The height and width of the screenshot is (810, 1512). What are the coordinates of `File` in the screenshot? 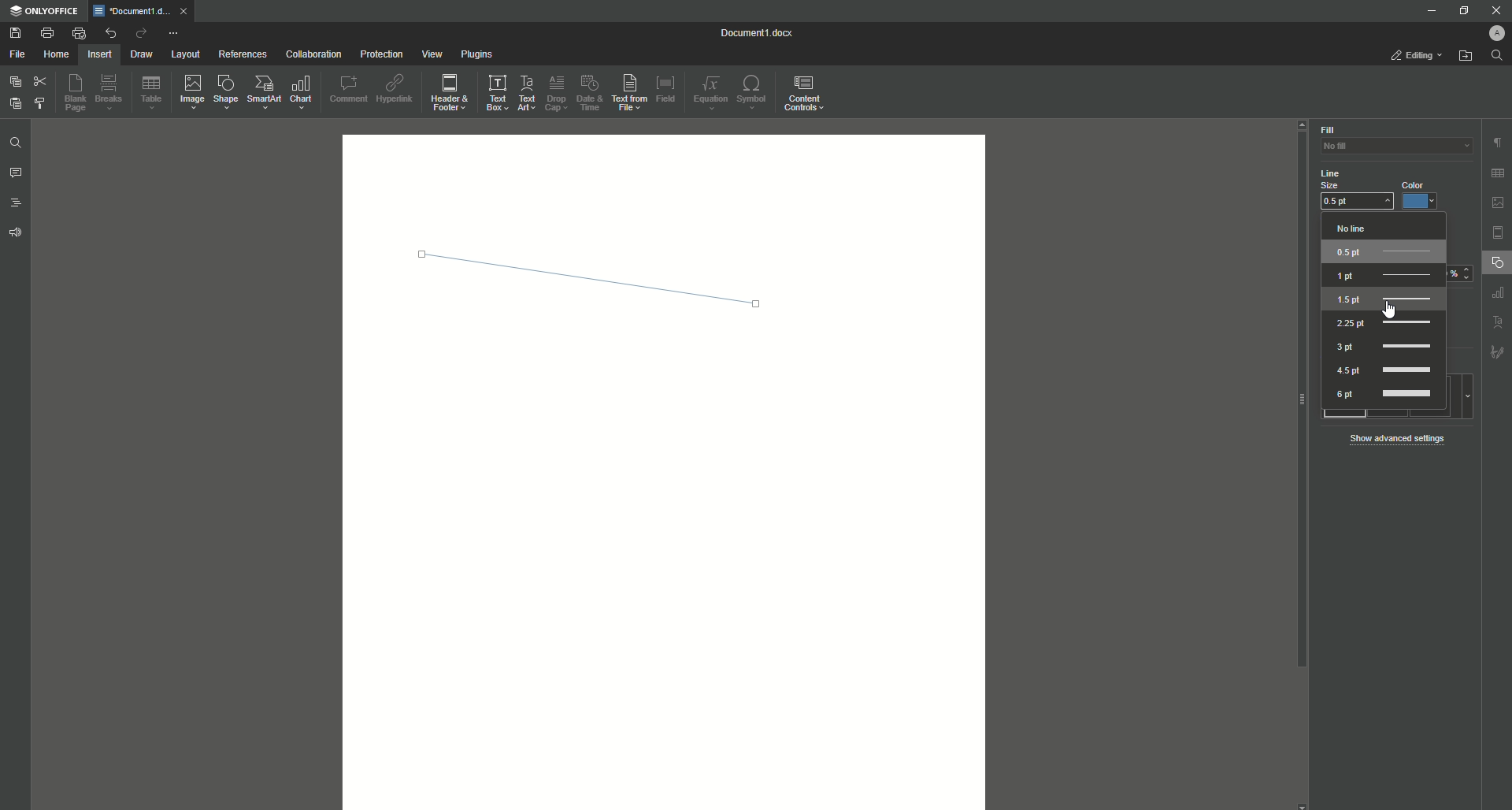 It's located at (18, 55).